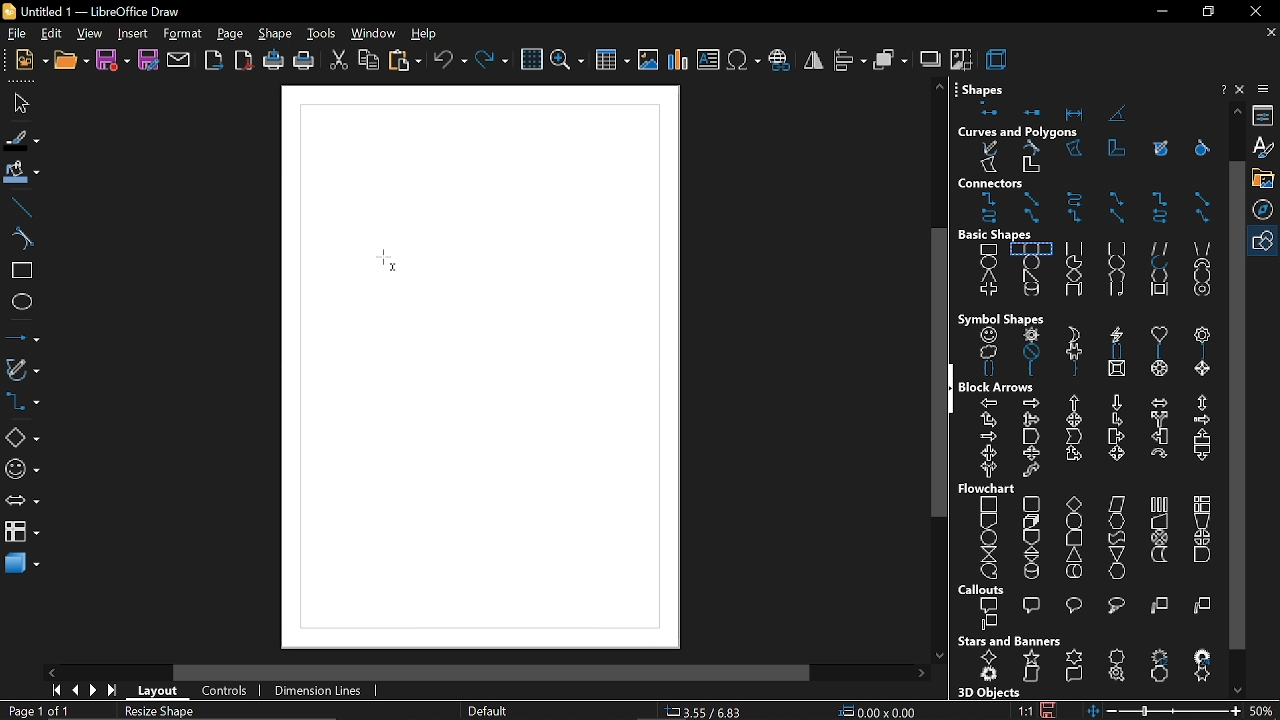 This screenshot has width=1280, height=720. Describe the element at coordinates (1007, 235) in the screenshot. I see `basic shapes` at that location.